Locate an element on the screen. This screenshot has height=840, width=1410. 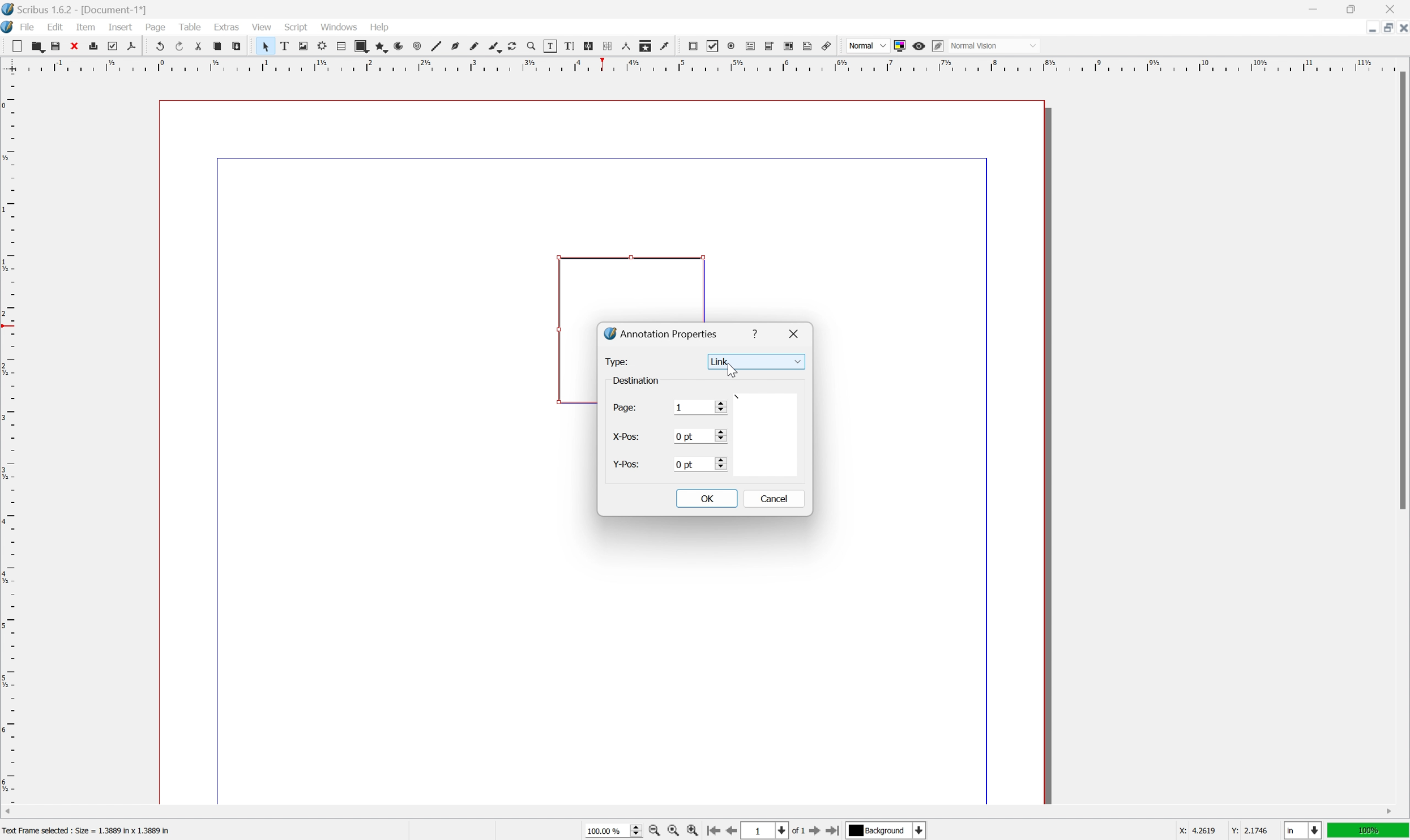
Script is located at coordinates (297, 26).